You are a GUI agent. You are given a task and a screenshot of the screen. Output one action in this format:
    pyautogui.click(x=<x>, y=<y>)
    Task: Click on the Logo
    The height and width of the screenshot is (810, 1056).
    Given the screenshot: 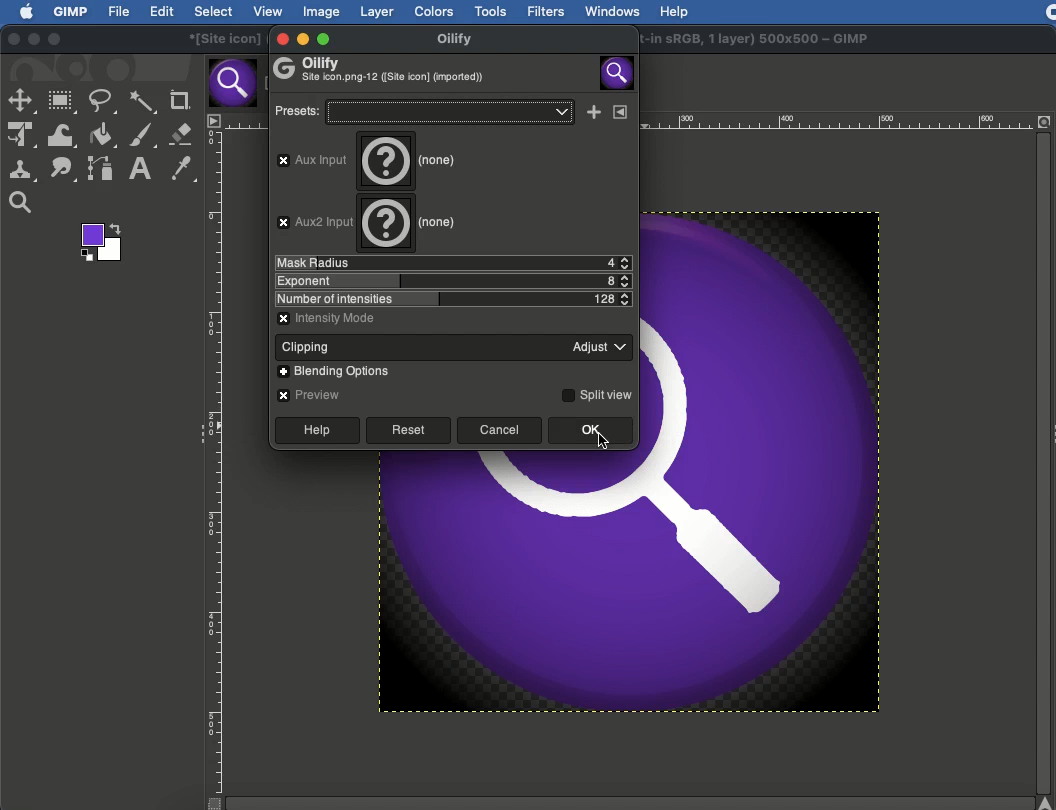 What is the action you would take?
    pyautogui.click(x=20, y=11)
    